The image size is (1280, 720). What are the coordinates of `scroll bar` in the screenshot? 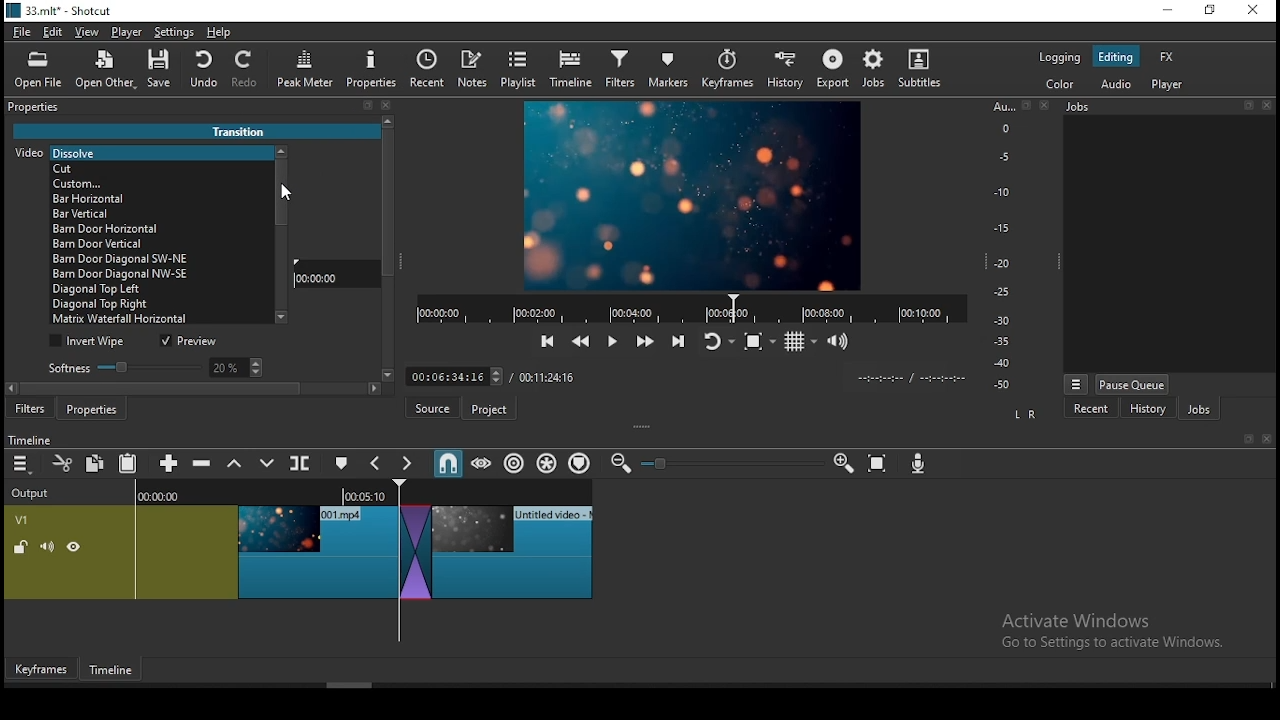 It's located at (279, 241).